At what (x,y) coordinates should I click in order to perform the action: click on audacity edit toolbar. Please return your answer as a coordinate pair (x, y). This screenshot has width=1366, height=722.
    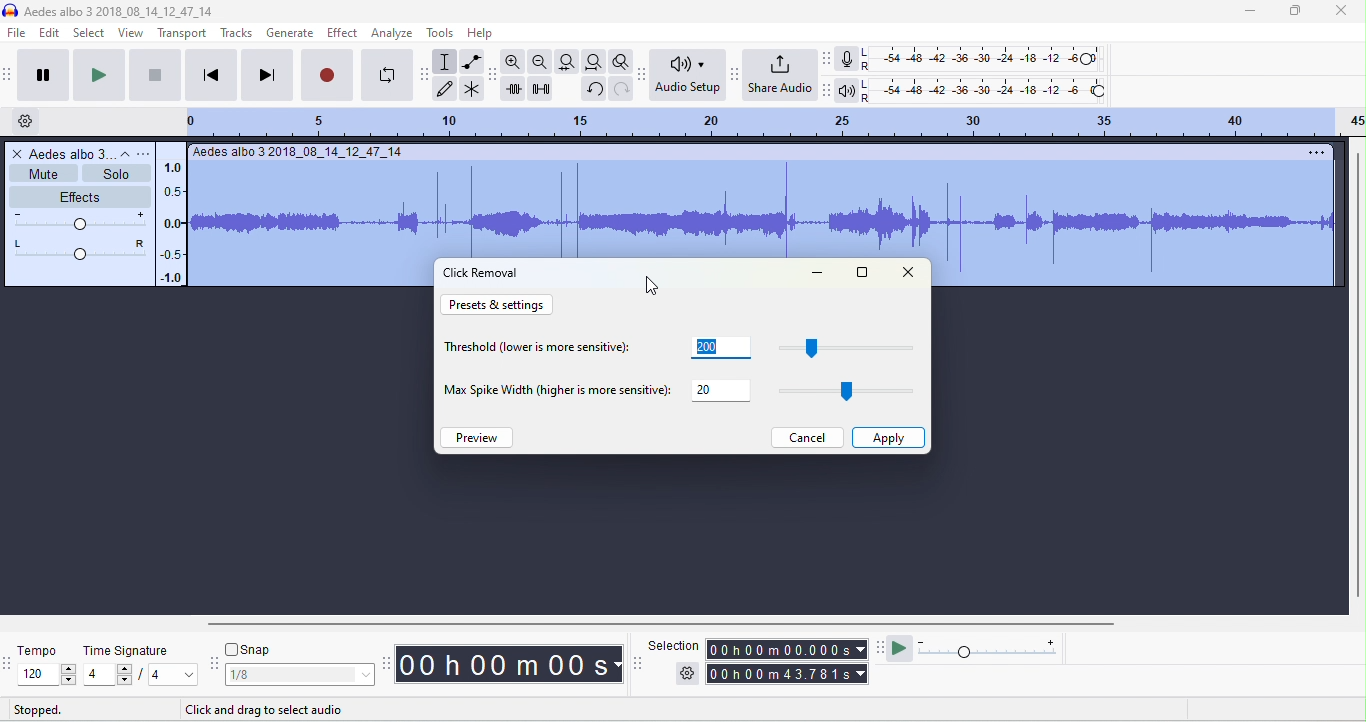
    Looking at the image, I should click on (495, 74).